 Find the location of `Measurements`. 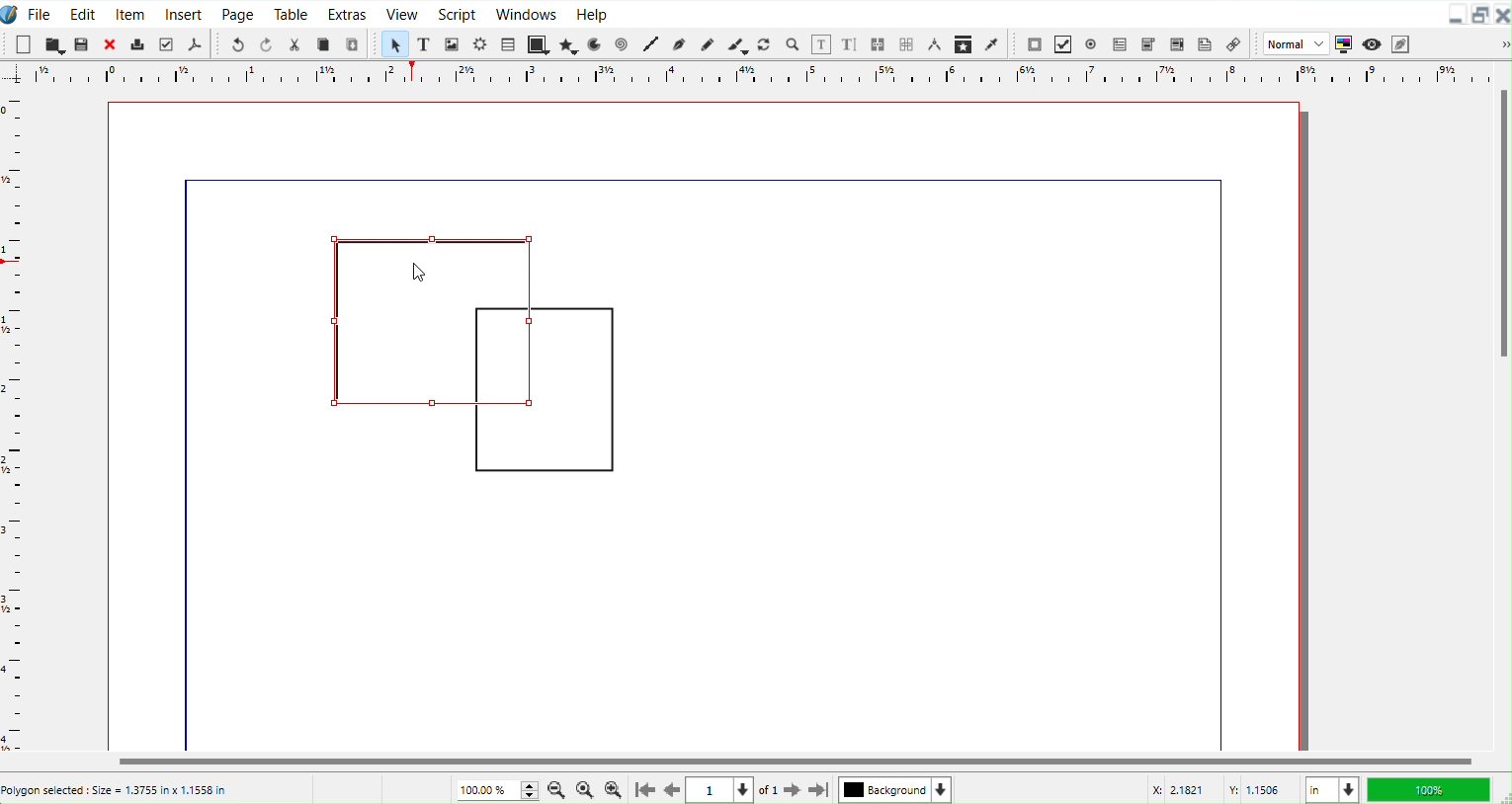

Measurements is located at coordinates (936, 45).